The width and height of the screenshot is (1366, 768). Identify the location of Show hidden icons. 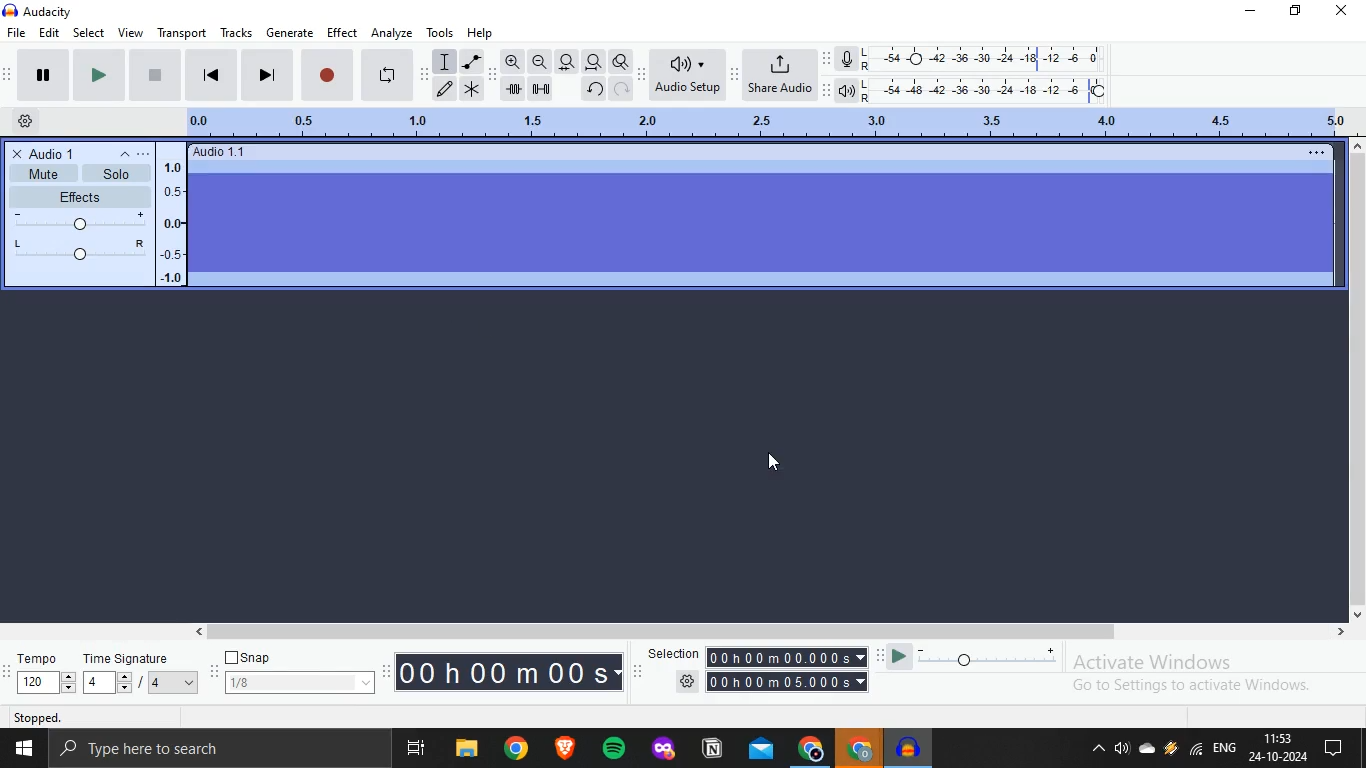
(1099, 752).